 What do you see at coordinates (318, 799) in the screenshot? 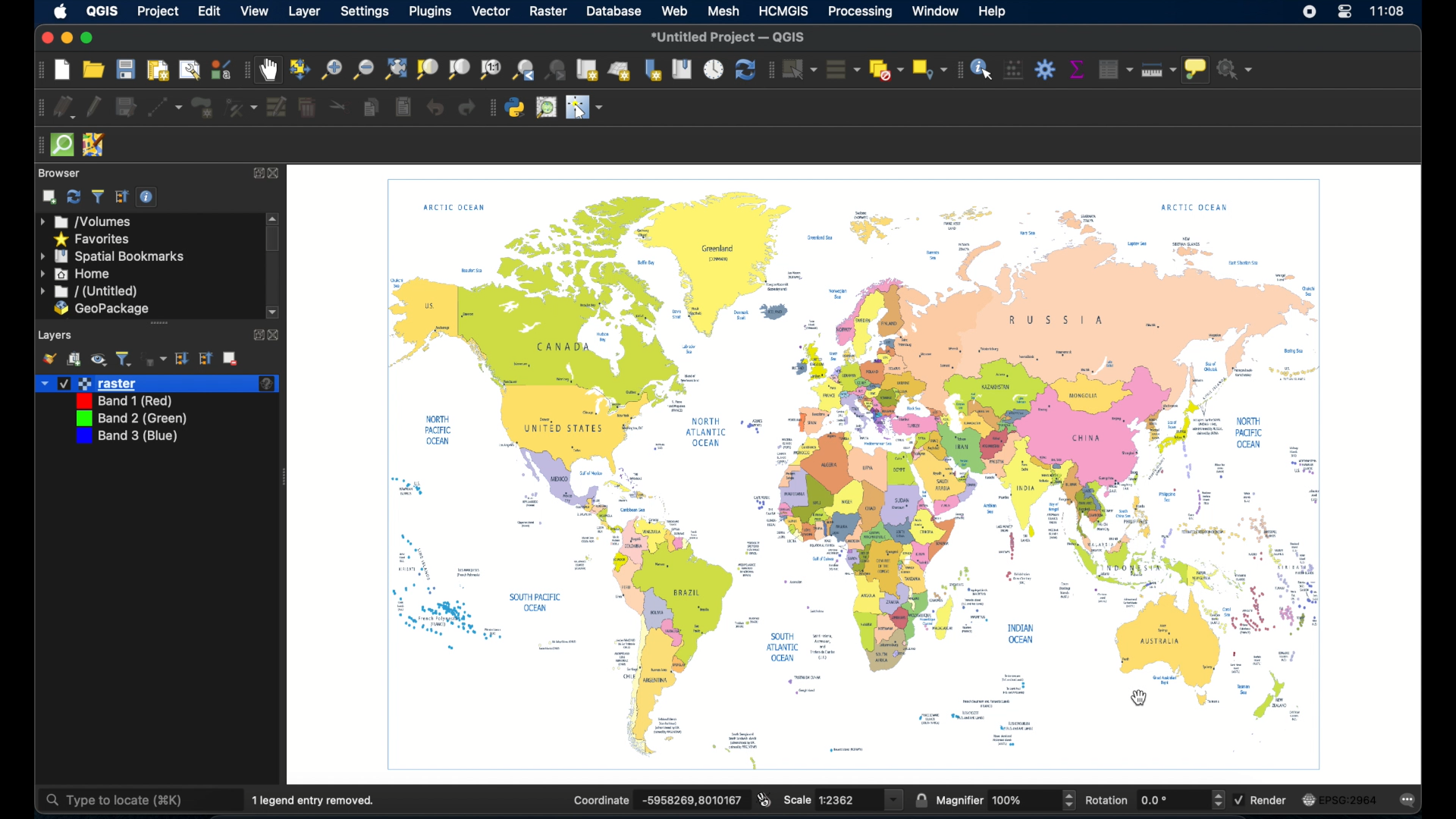
I see `1 legend entry removed` at bounding box center [318, 799].